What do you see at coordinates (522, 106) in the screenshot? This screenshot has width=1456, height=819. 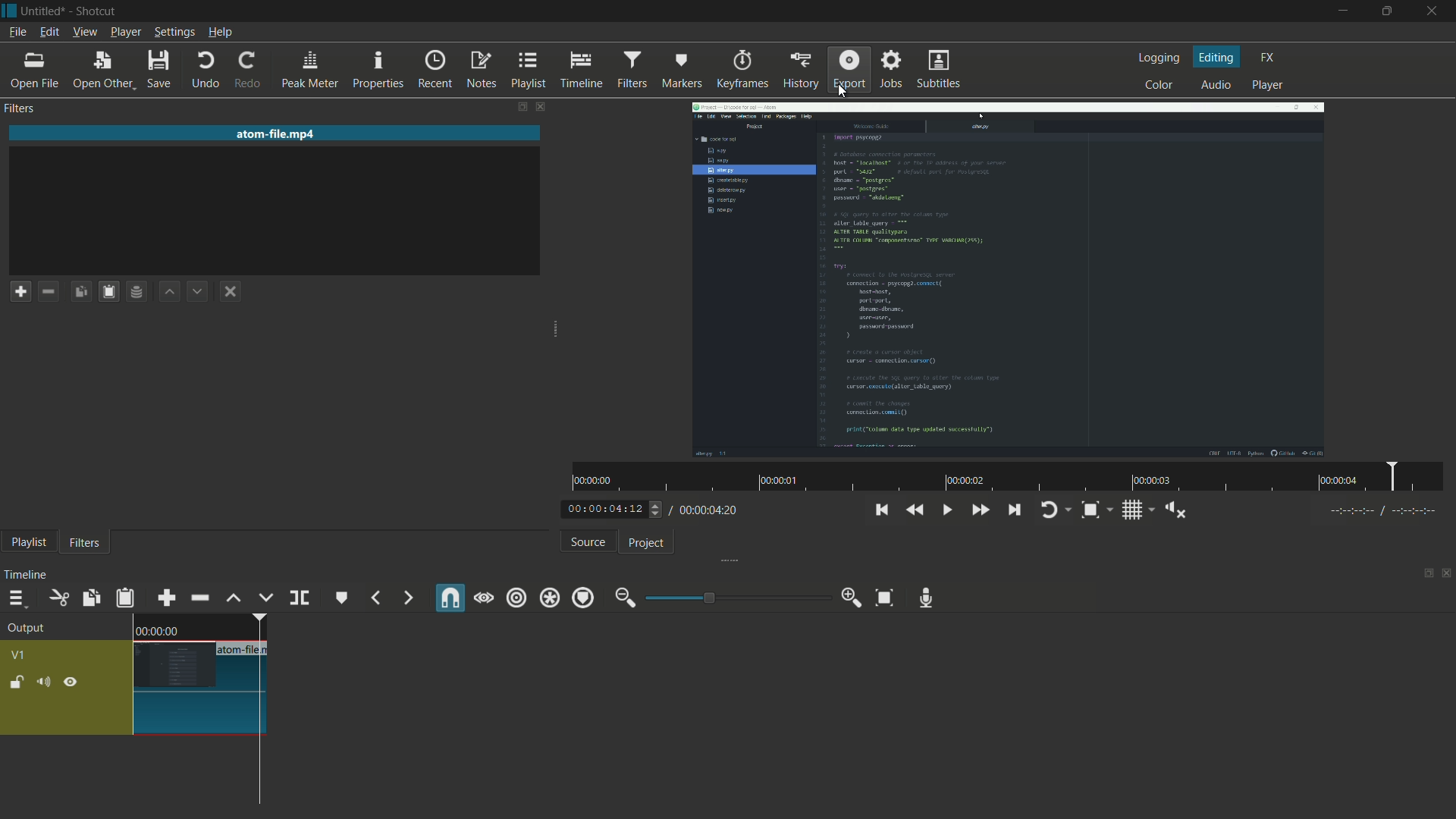 I see `change layout` at bounding box center [522, 106].